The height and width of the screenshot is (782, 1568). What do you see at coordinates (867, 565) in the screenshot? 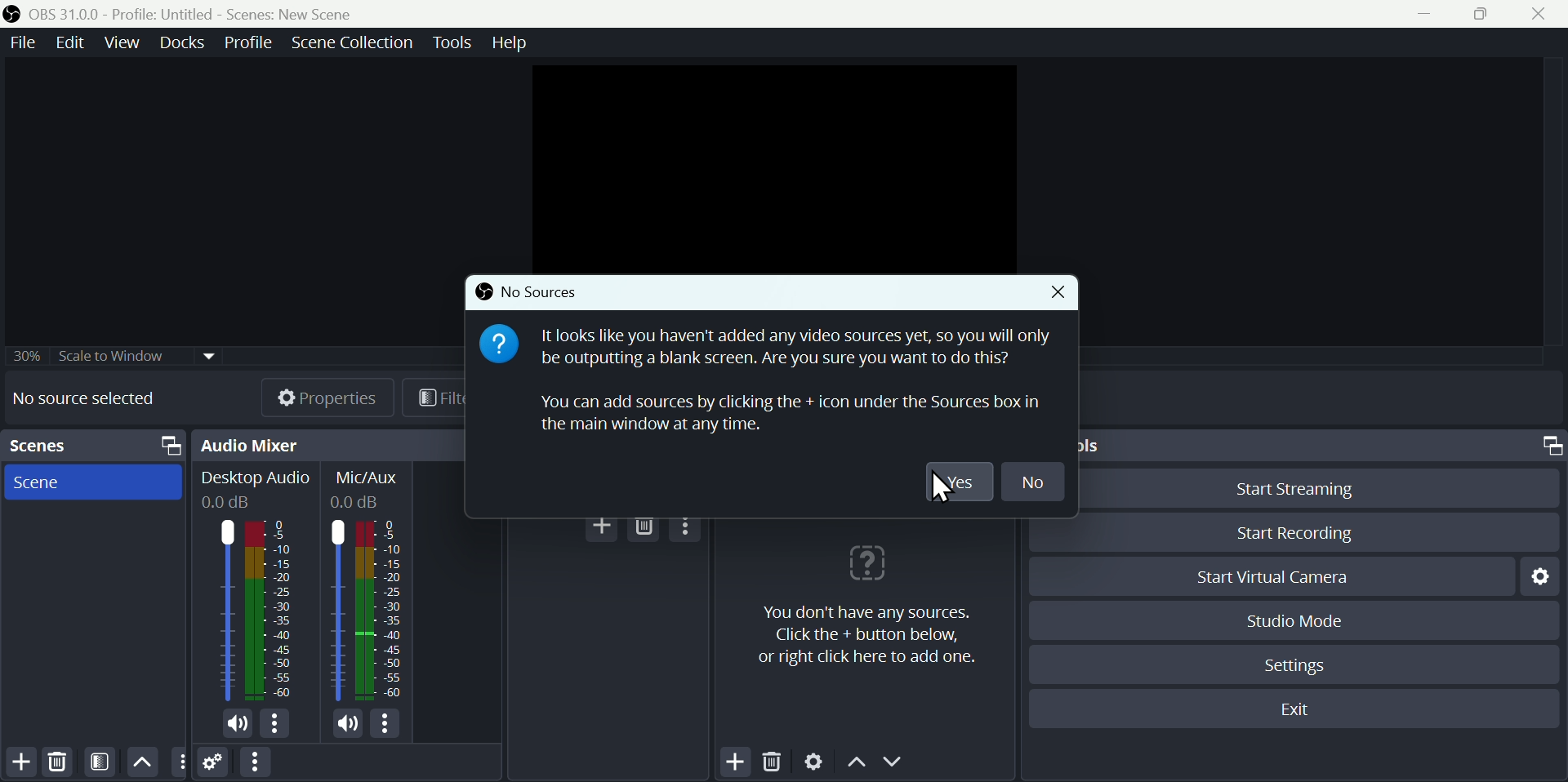
I see `icon` at bounding box center [867, 565].